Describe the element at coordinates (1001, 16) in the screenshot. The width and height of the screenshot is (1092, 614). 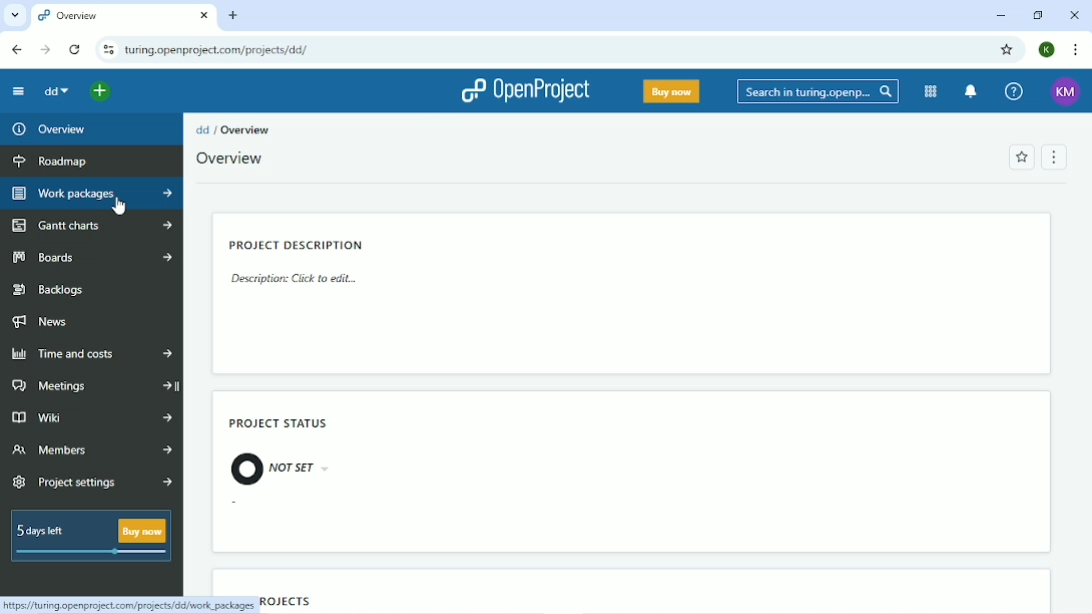
I see `Minimize` at that location.